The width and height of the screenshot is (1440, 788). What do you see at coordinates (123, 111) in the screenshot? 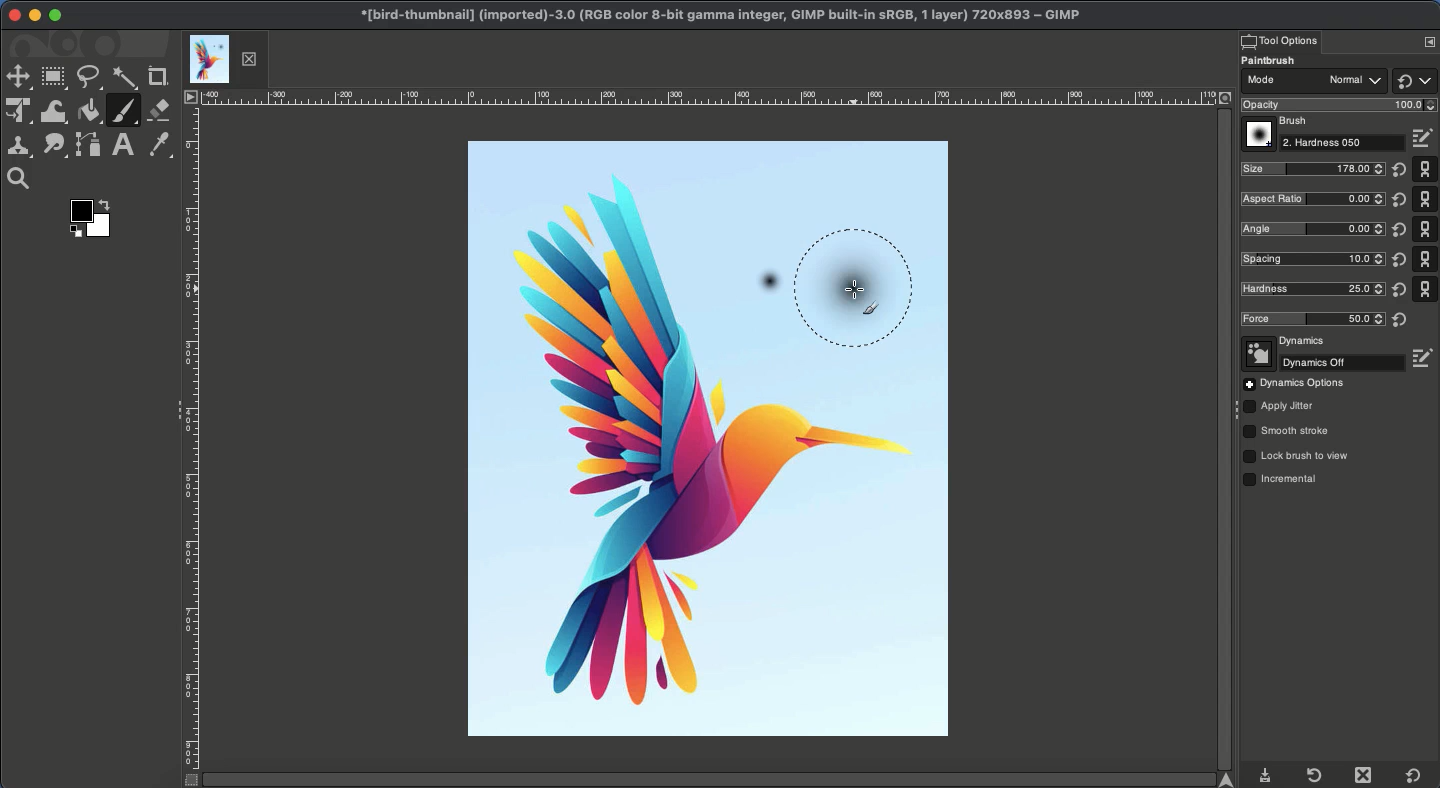
I see `Paintbrush` at bounding box center [123, 111].